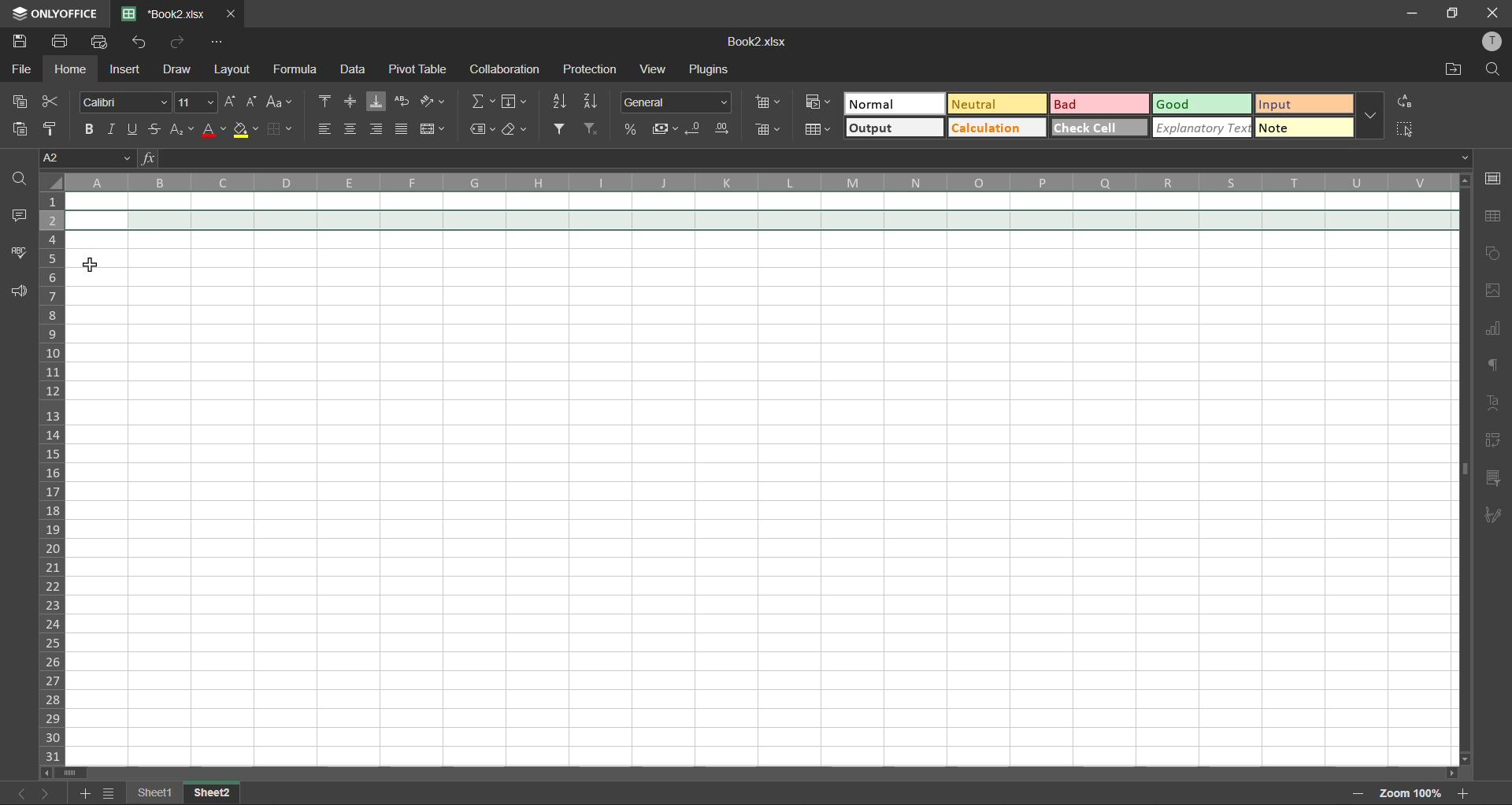 The image size is (1512, 805). Describe the element at coordinates (17, 792) in the screenshot. I see `previous` at that location.